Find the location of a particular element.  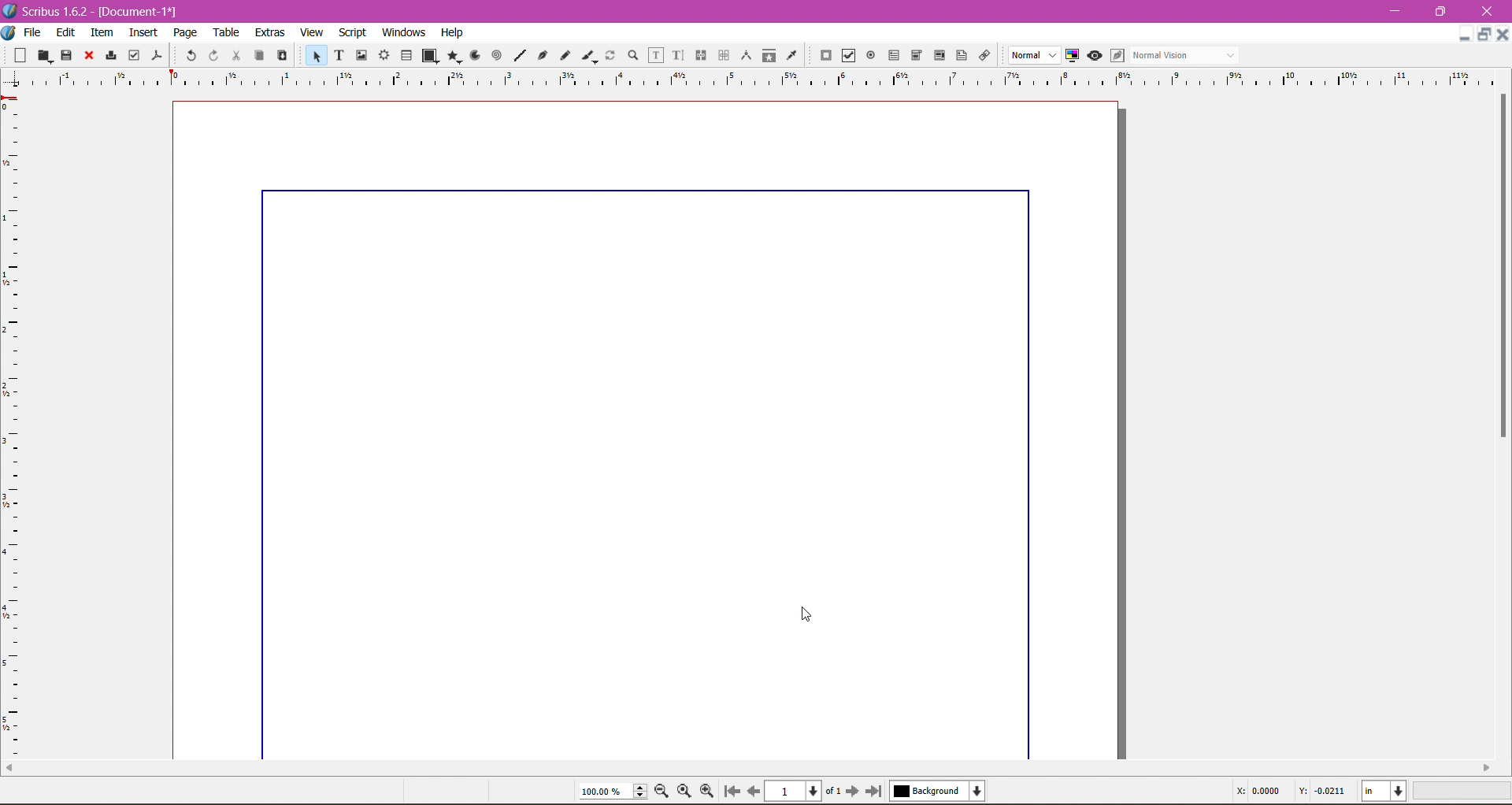

Close Document is located at coordinates (1503, 35).